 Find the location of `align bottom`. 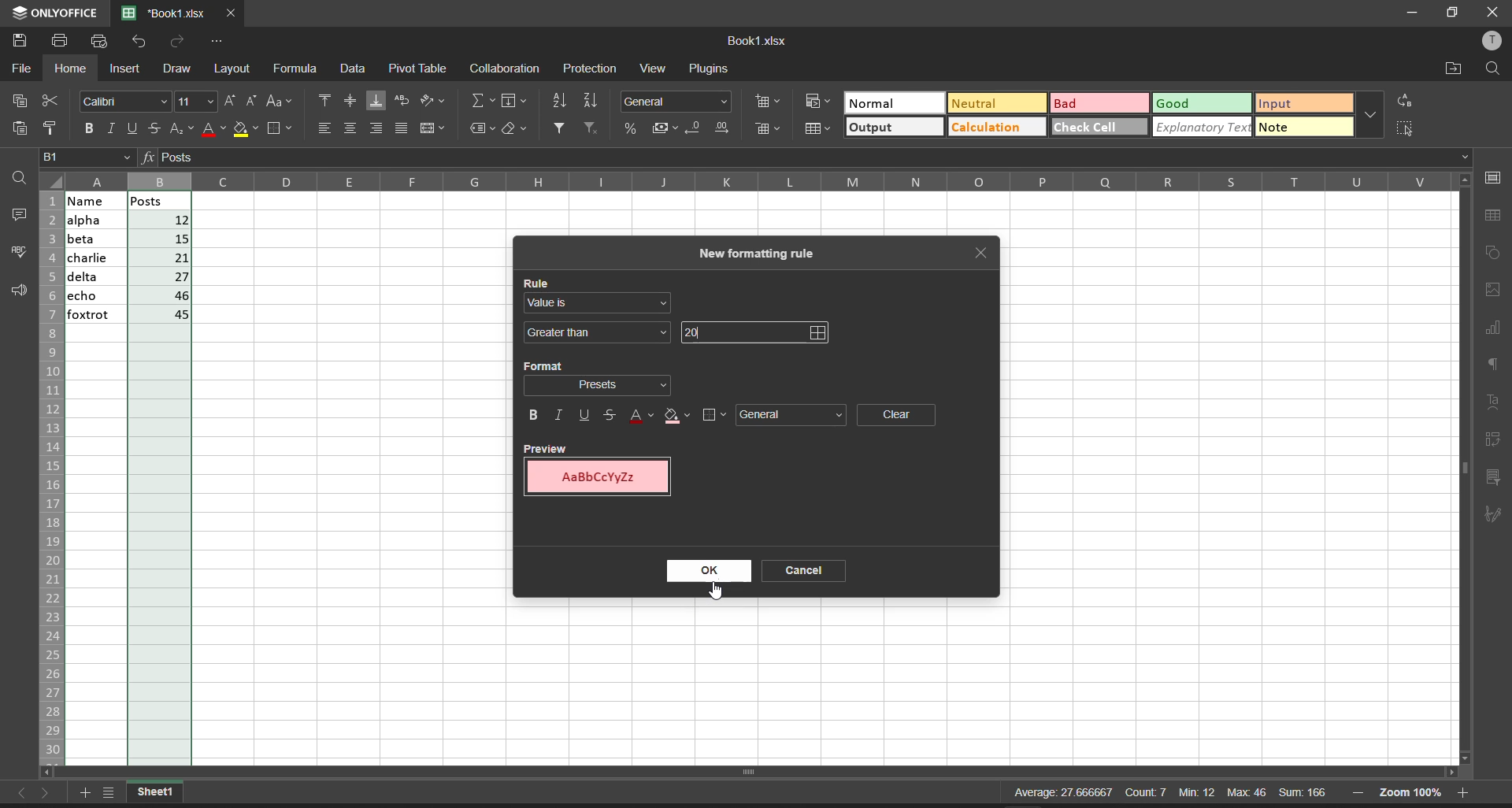

align bottom is located at coordinates (372, 101).